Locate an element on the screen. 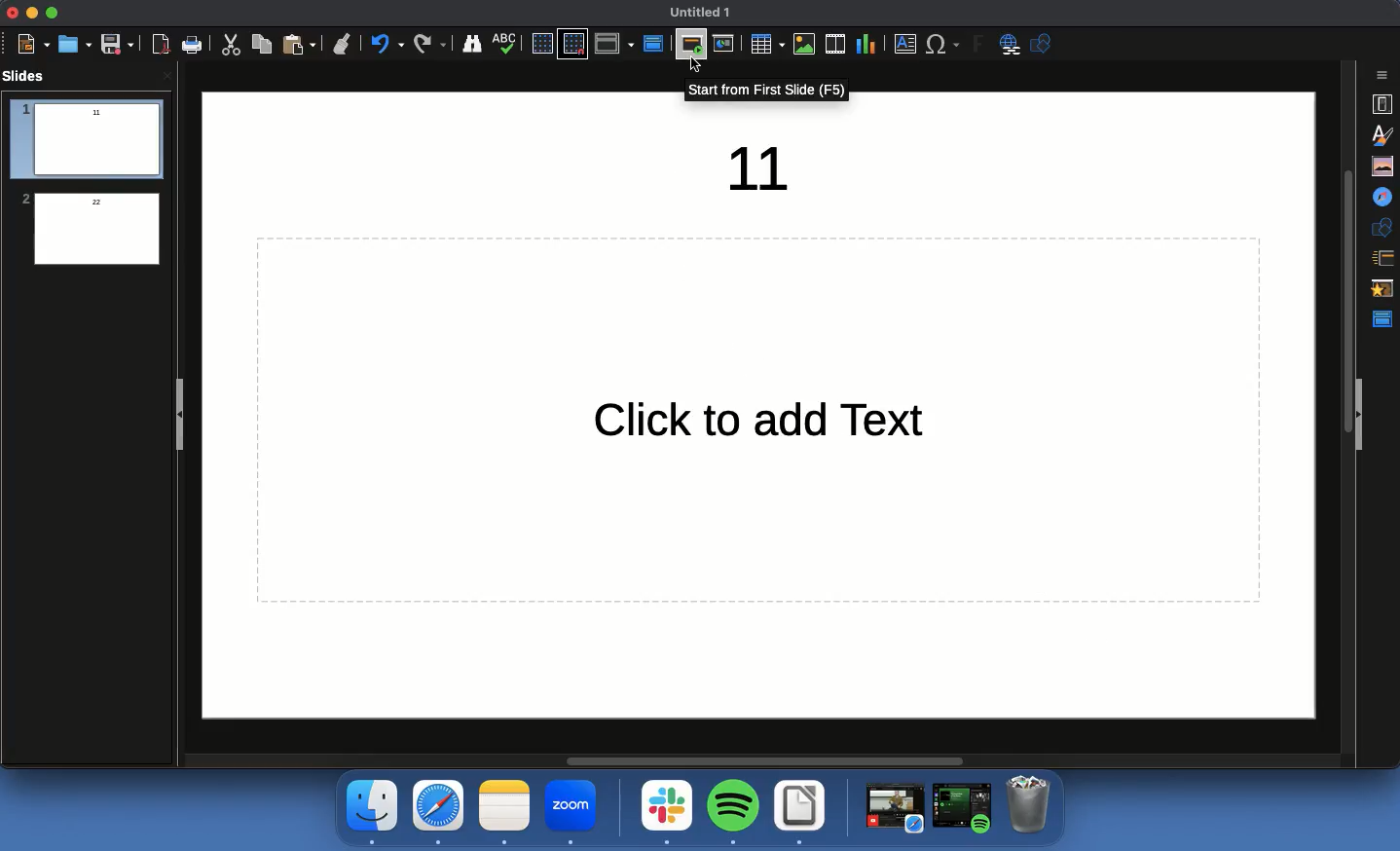 Image resolution: width=1400 pixels, height=851 pixels. Shapes is located at coordinates (1041, 47).